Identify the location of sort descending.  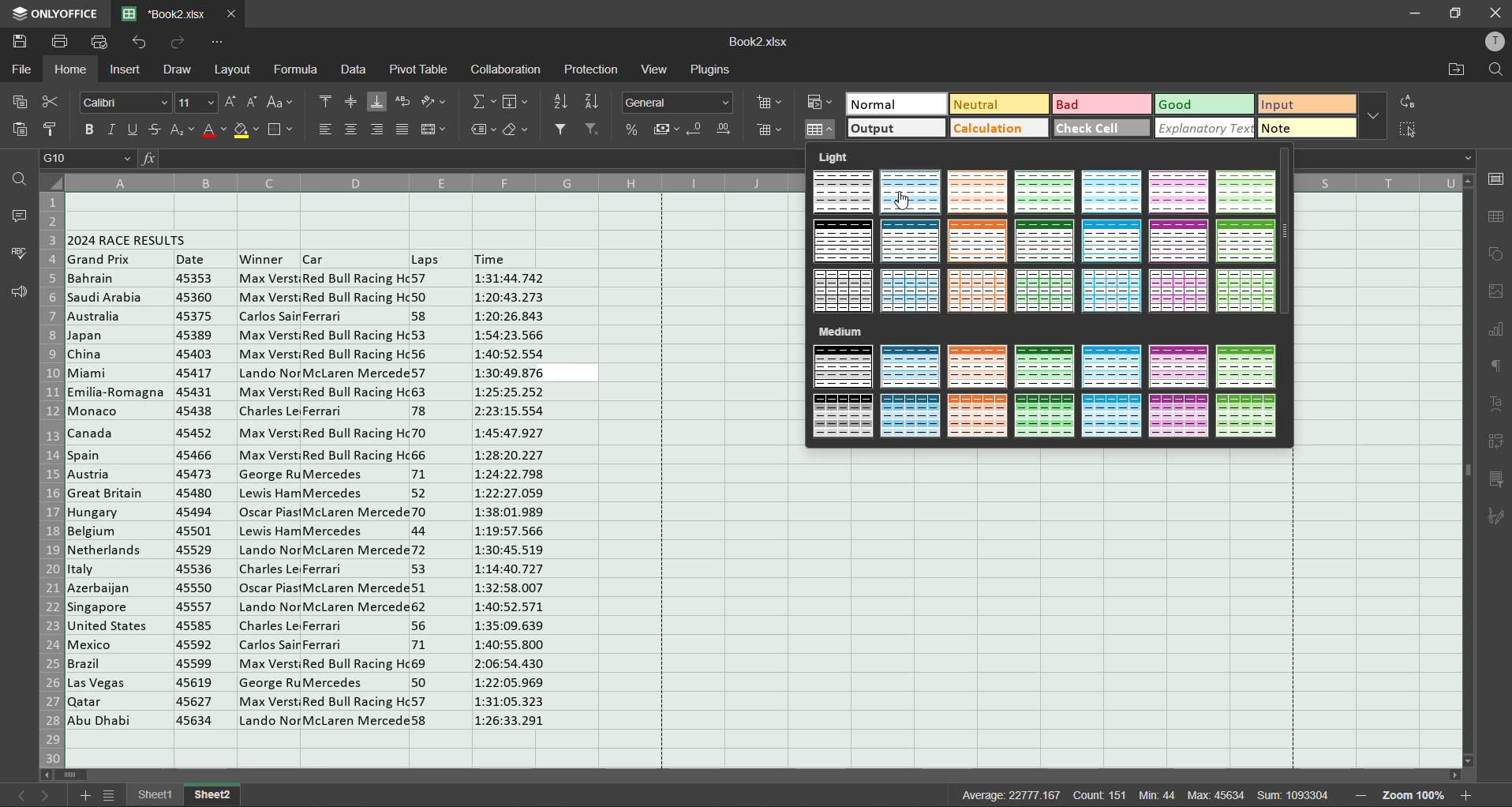
(592, 102).